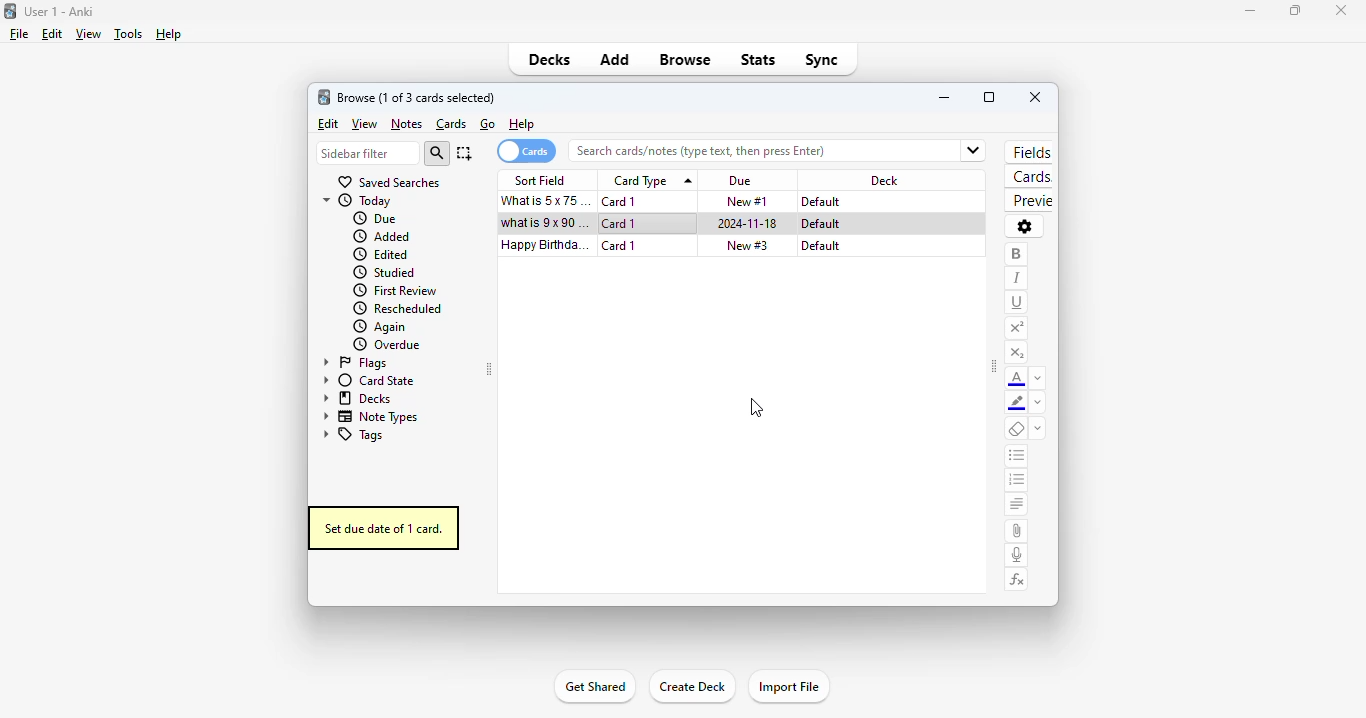 The width and height of the screenshot is (1366, 718). I want to click on flags, so click(353, 363).